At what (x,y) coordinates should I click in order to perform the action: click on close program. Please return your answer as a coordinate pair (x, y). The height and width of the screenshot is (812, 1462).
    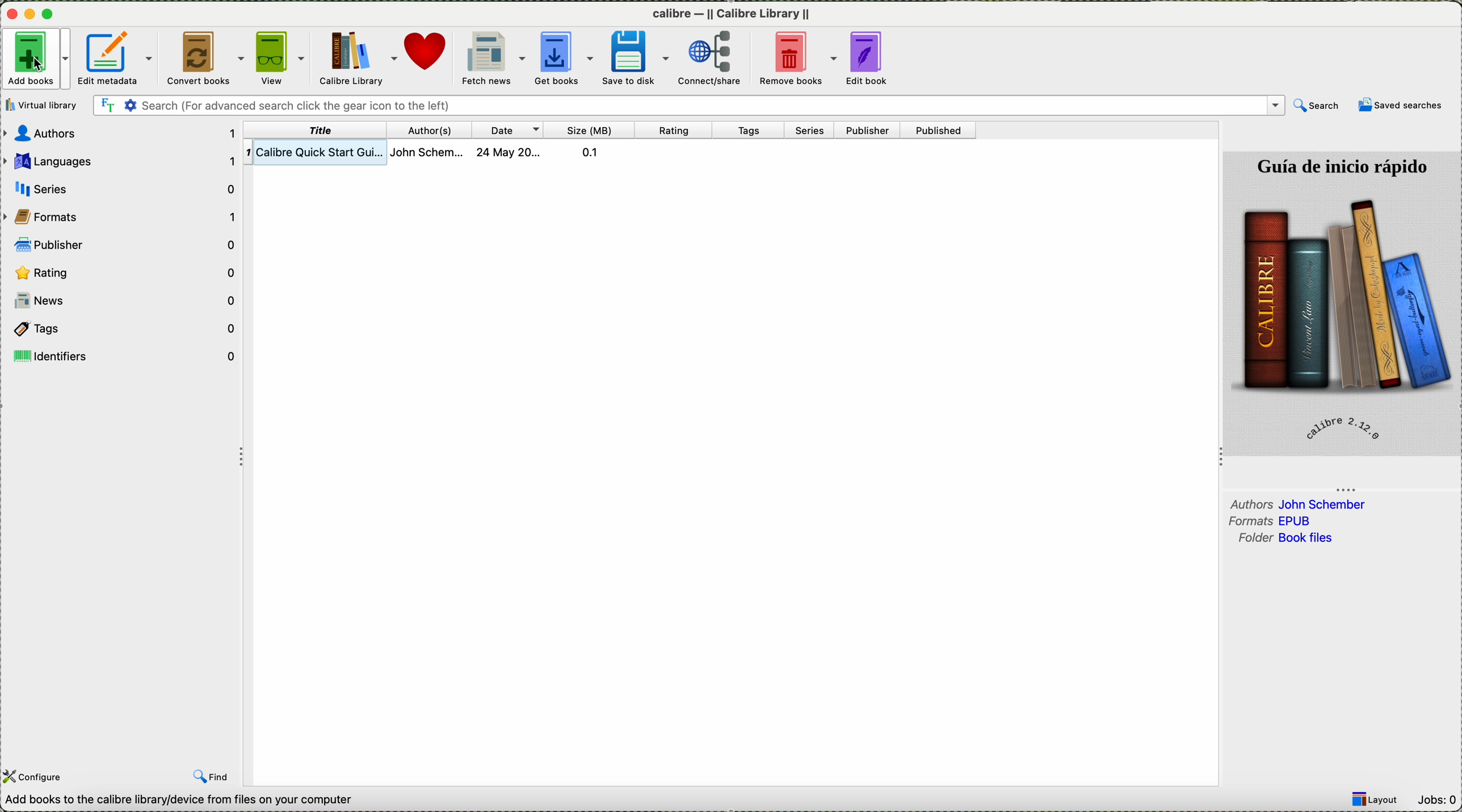
    Looking at the image, I should click on (11, 14).